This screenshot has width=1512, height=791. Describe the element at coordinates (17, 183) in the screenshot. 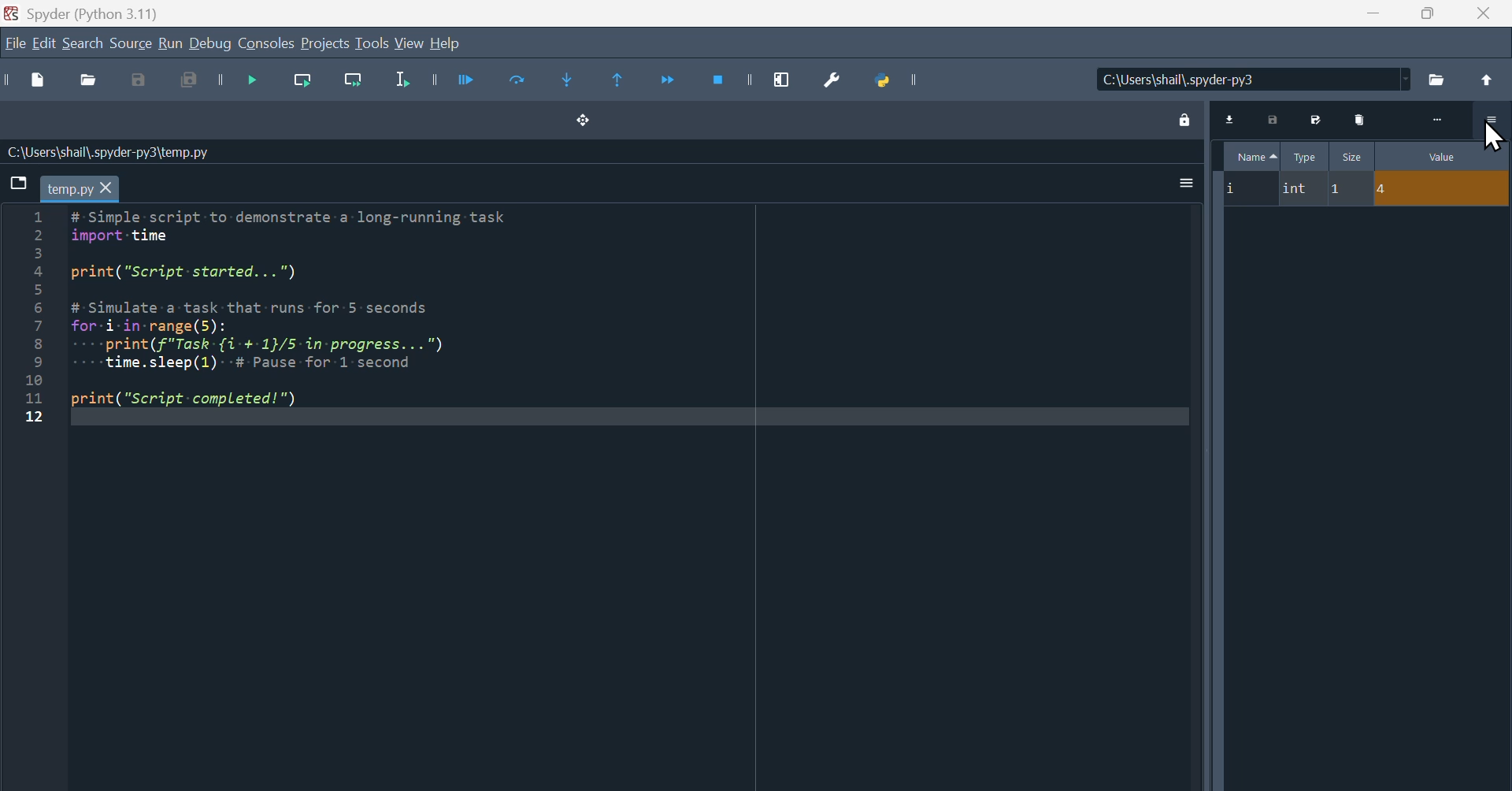

I see `Browse Tabs` at that location.